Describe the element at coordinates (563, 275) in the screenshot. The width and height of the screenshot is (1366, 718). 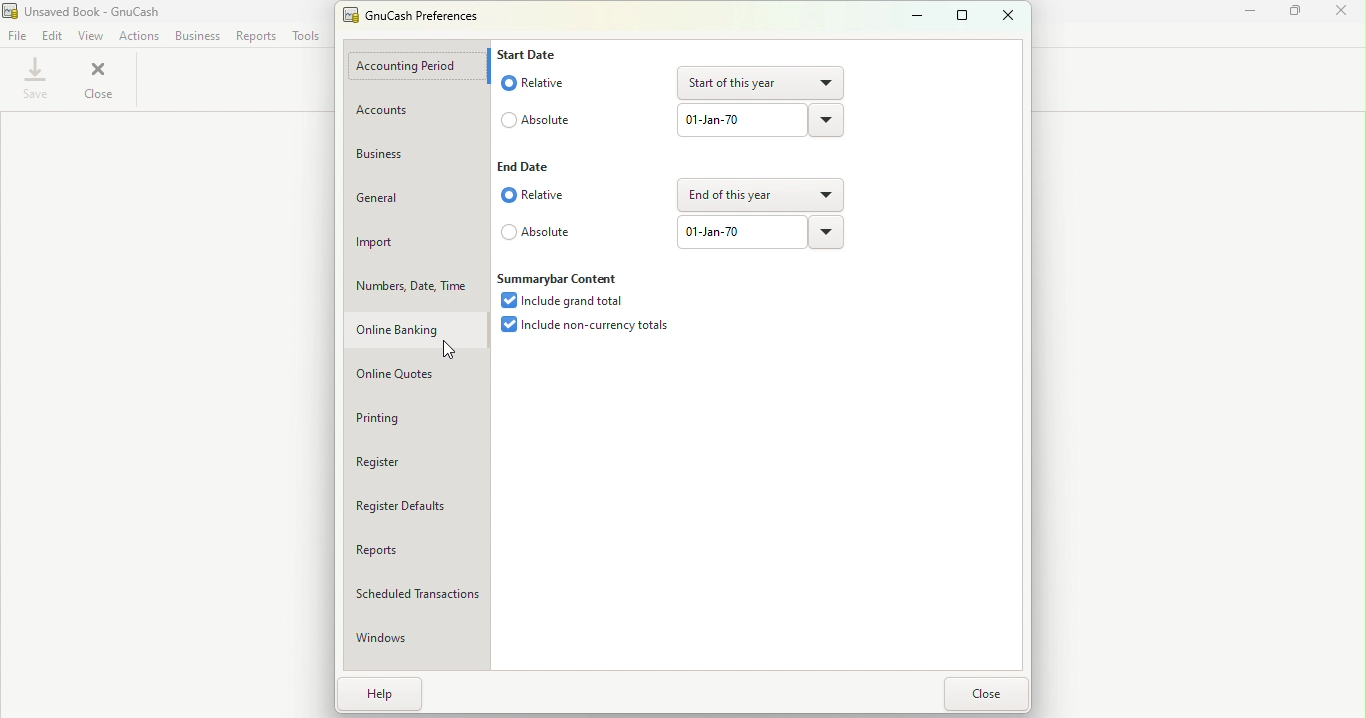
I see `Summarybar content` at that location.